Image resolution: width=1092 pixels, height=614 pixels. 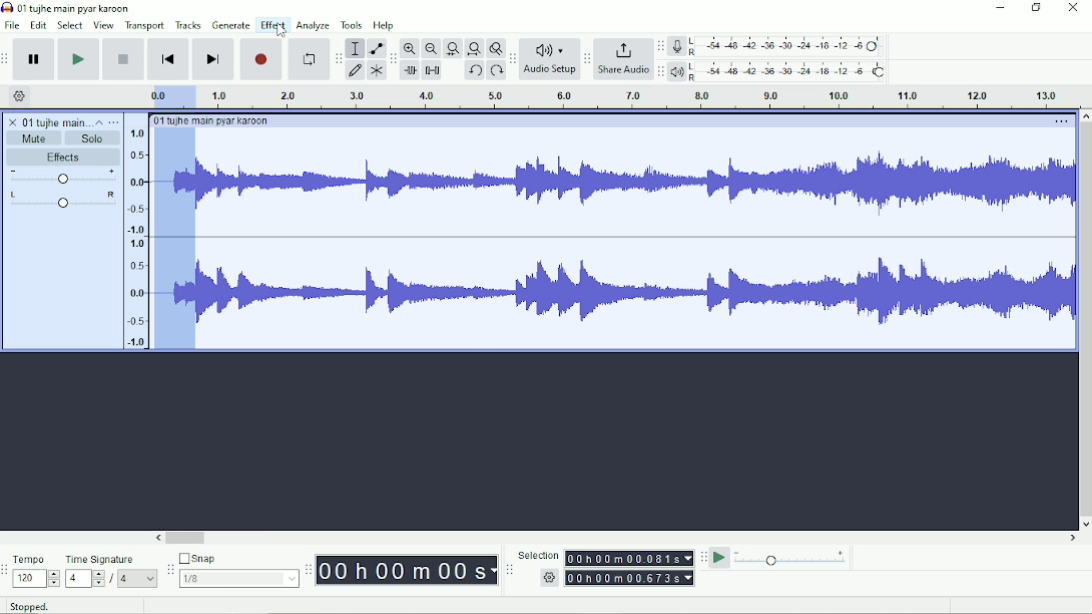 What do you see at coordinates (63, 178) in the screenshot?
I see `Volume` at bounding box center [63, 178].